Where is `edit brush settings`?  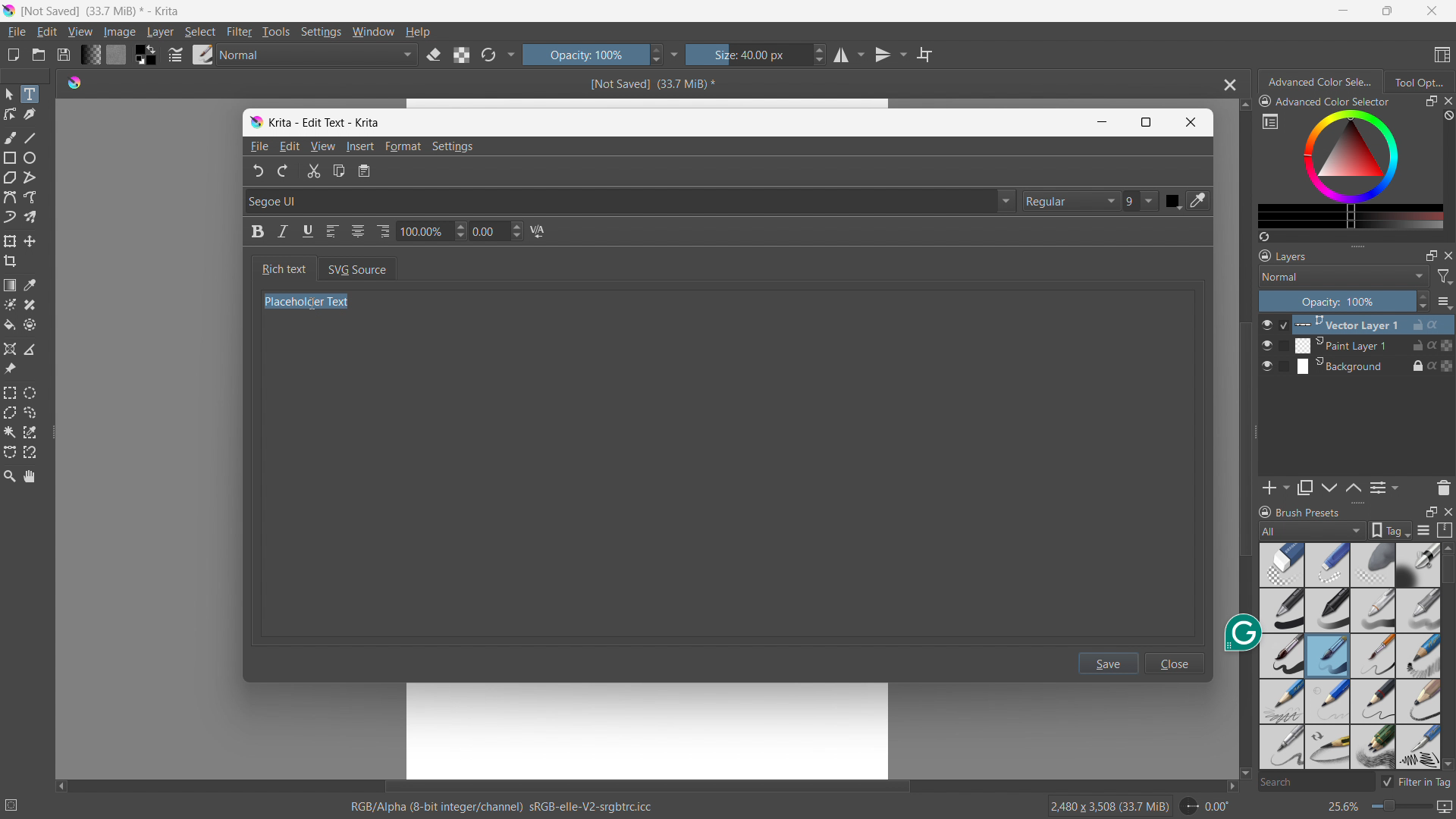 edit brush settings is located at coordinates (175, 55).